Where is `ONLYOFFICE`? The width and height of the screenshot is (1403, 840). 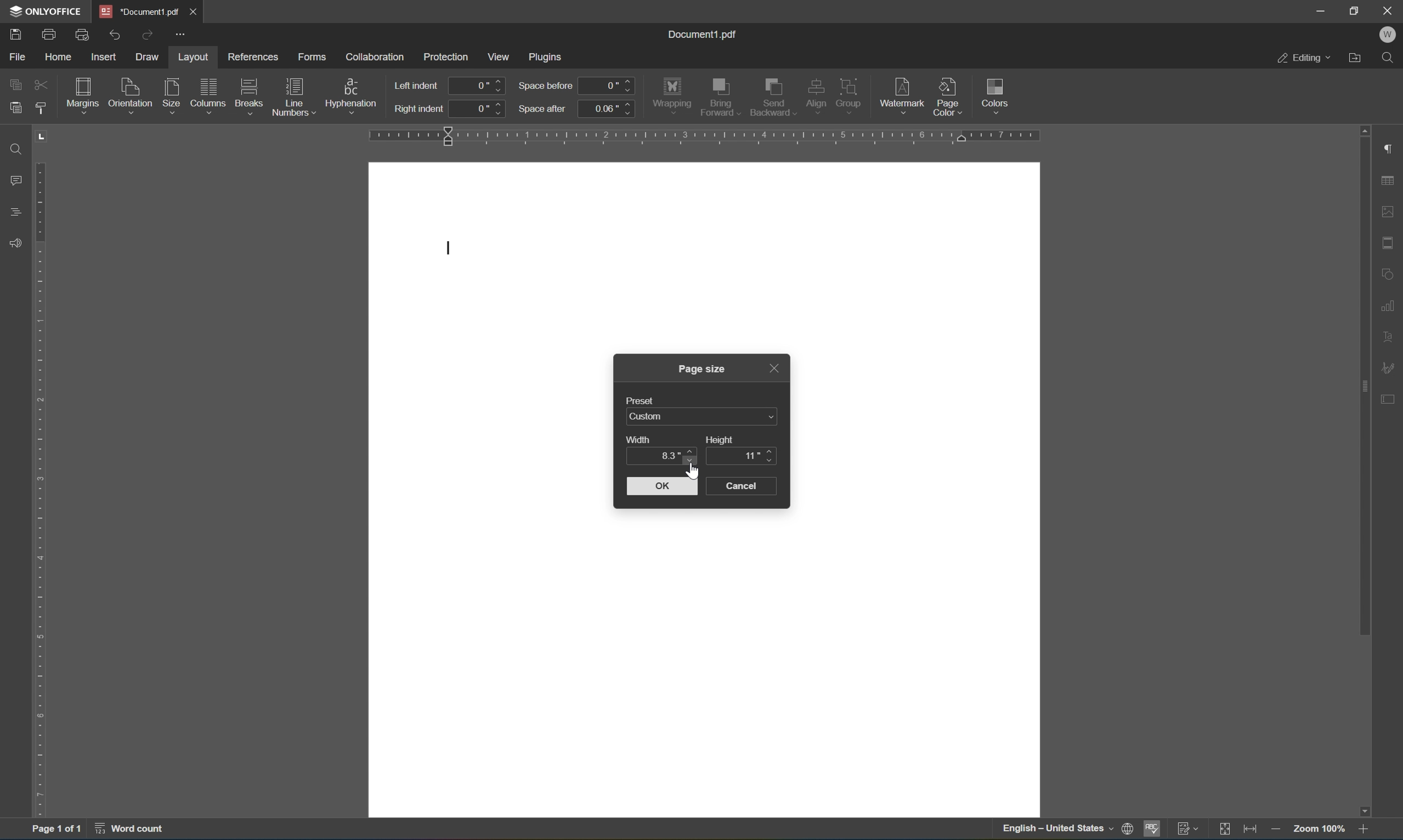 ONLYOFFICE is located at coordinates (44, 11).